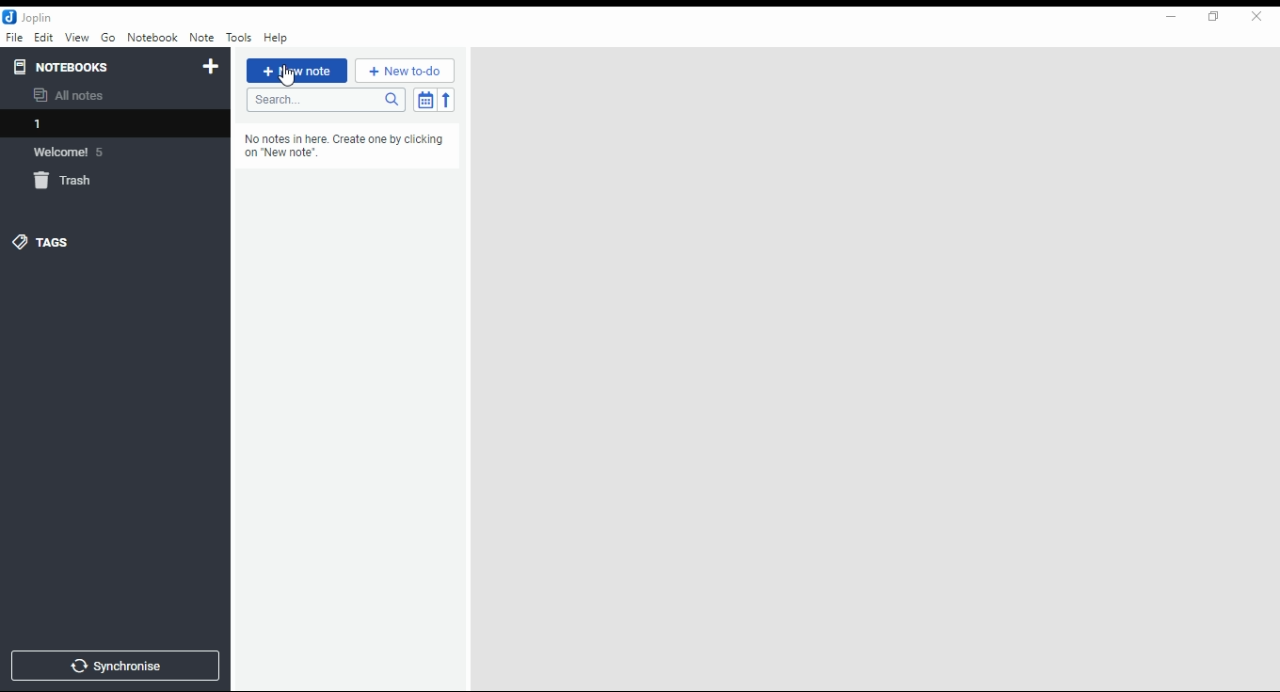 This screenshot has width=1280, height=692. Describe the element at coordinates (28, 16) in the screenshot. I see `icon` at that location.